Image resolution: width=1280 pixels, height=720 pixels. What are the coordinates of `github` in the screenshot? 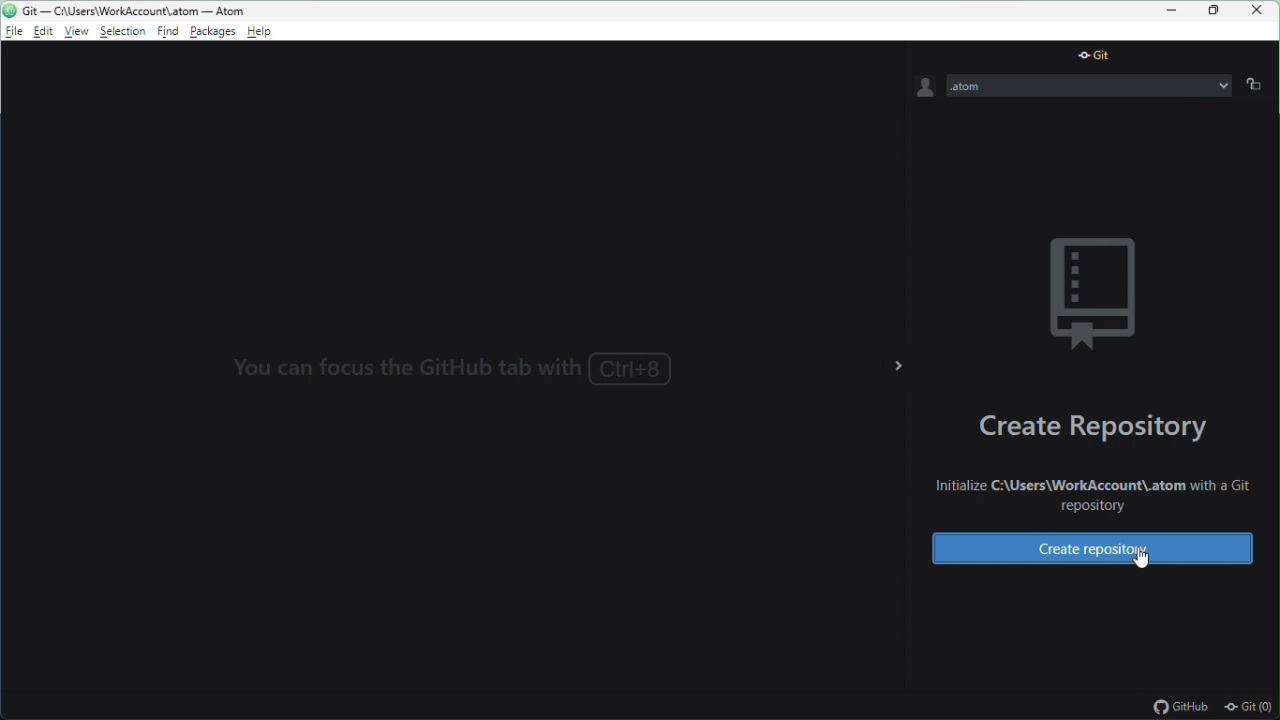 It's located at (1180, 709).